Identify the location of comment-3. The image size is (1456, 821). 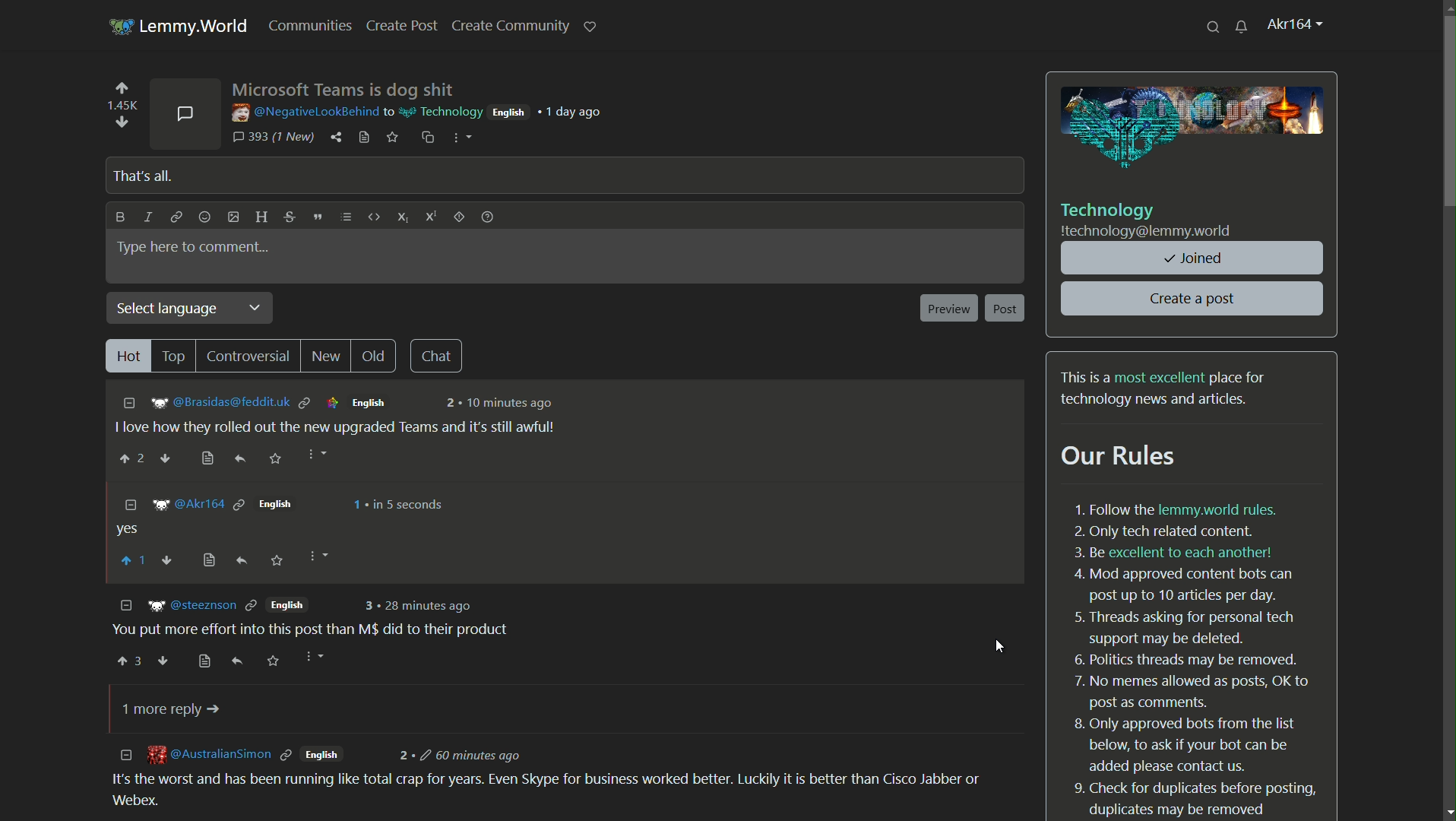
(553, 782).